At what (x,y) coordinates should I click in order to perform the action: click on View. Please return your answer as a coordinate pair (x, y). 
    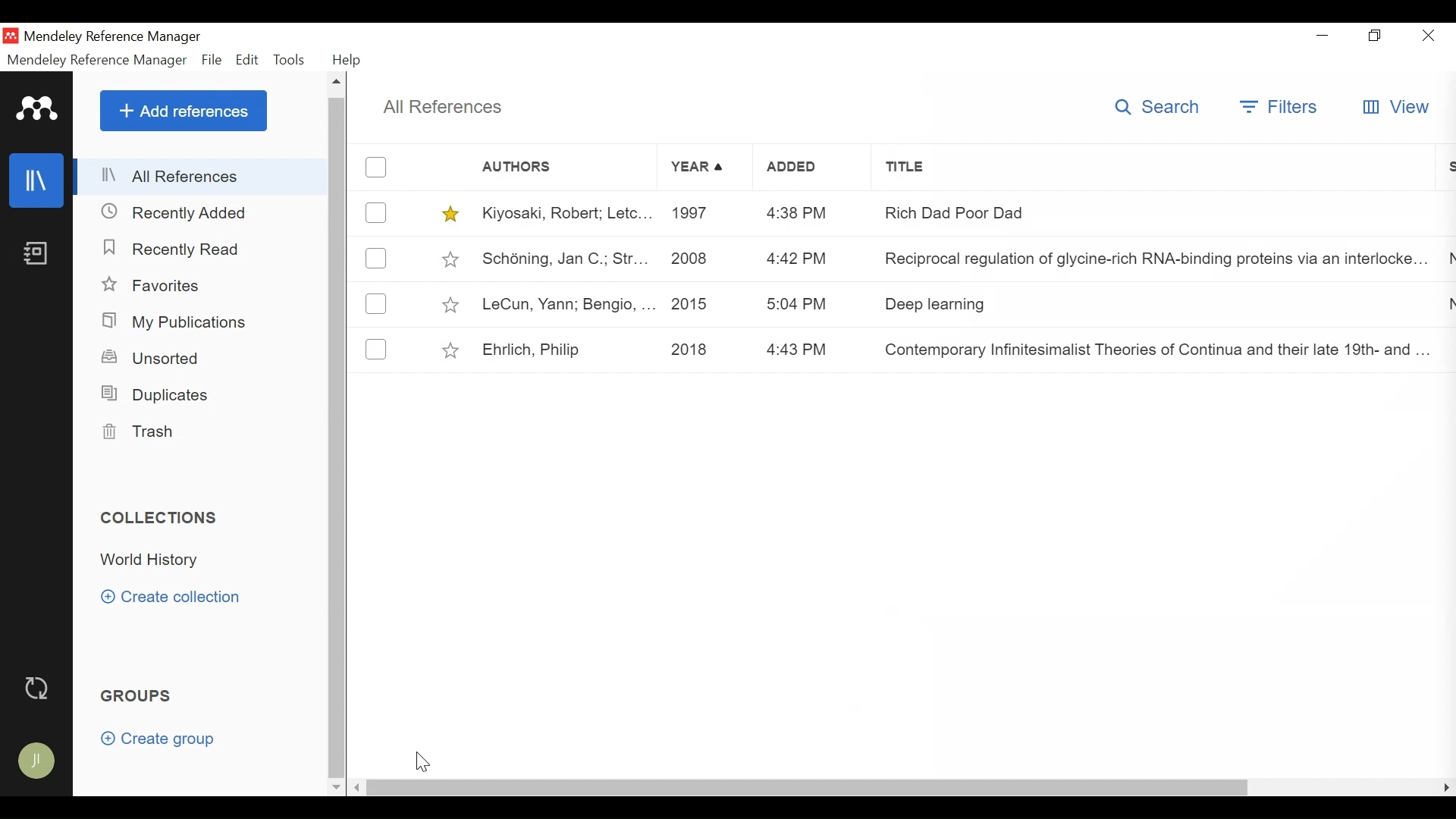
    Looking at the image, I should click on (1401, 106).